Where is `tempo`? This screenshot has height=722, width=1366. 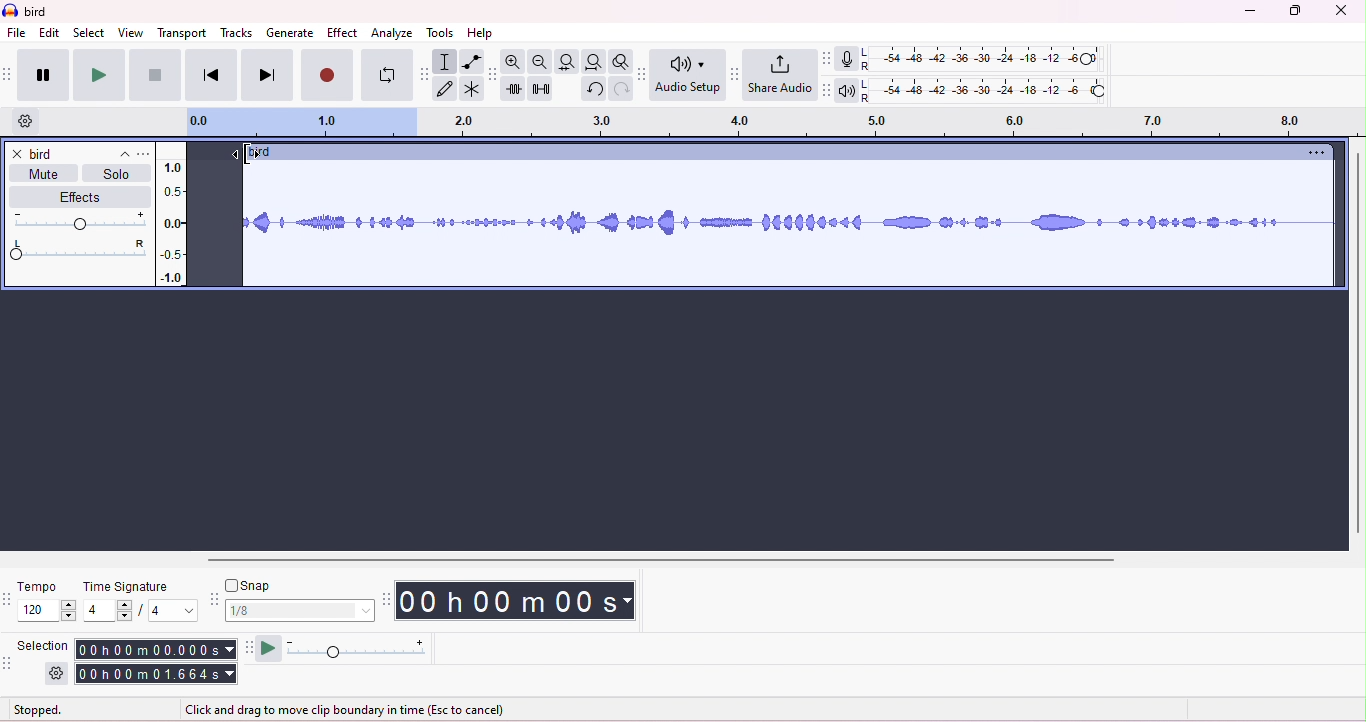 tempo is located at coordinates (39, 585).